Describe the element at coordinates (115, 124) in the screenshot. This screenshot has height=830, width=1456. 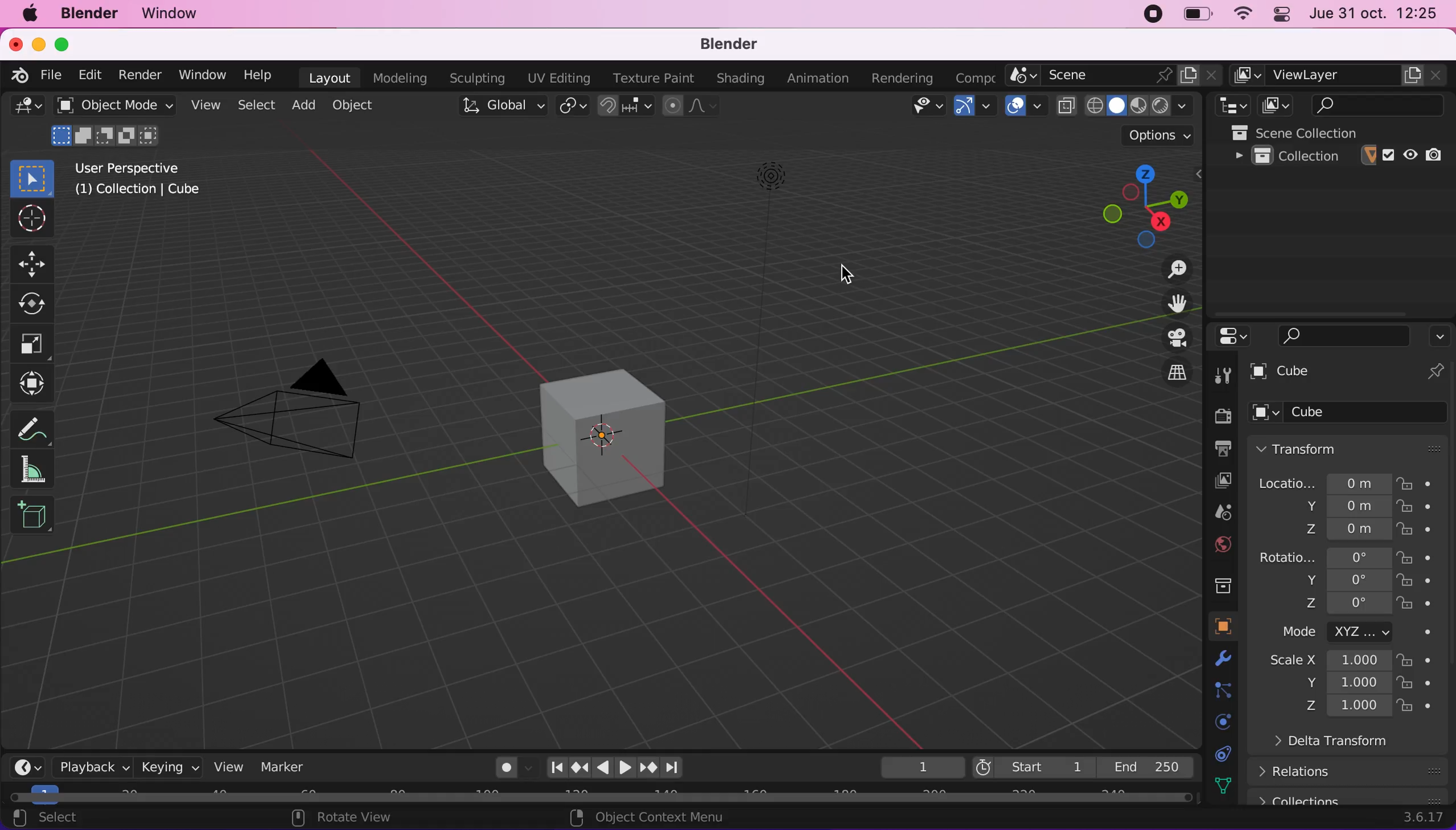
I see `object mode` at that location.